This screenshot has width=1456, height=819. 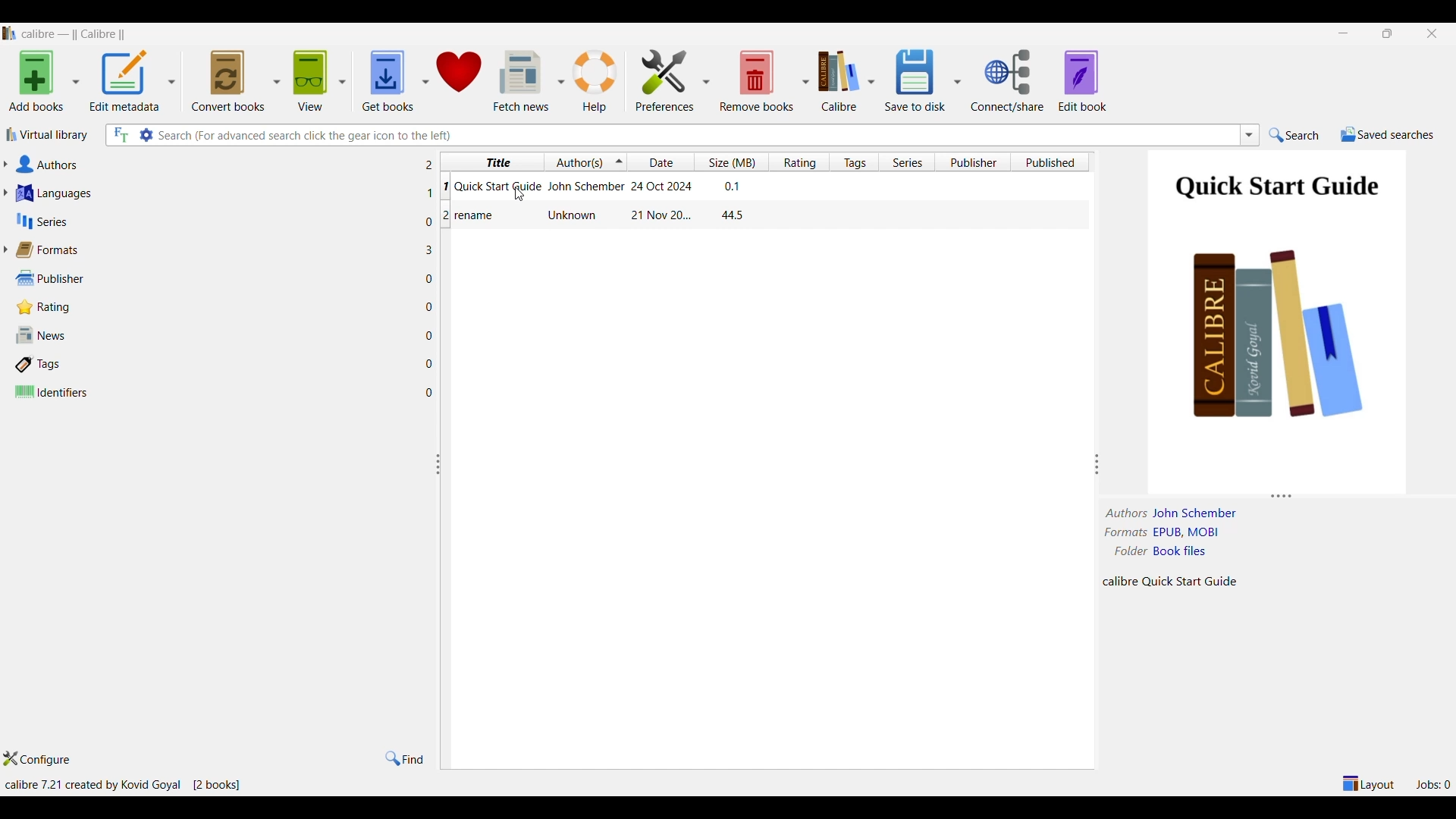 What do you see at coordinates (1009, 80) in the screenshot?
I see `Connect/Share` at bounding box center [1009, 80].